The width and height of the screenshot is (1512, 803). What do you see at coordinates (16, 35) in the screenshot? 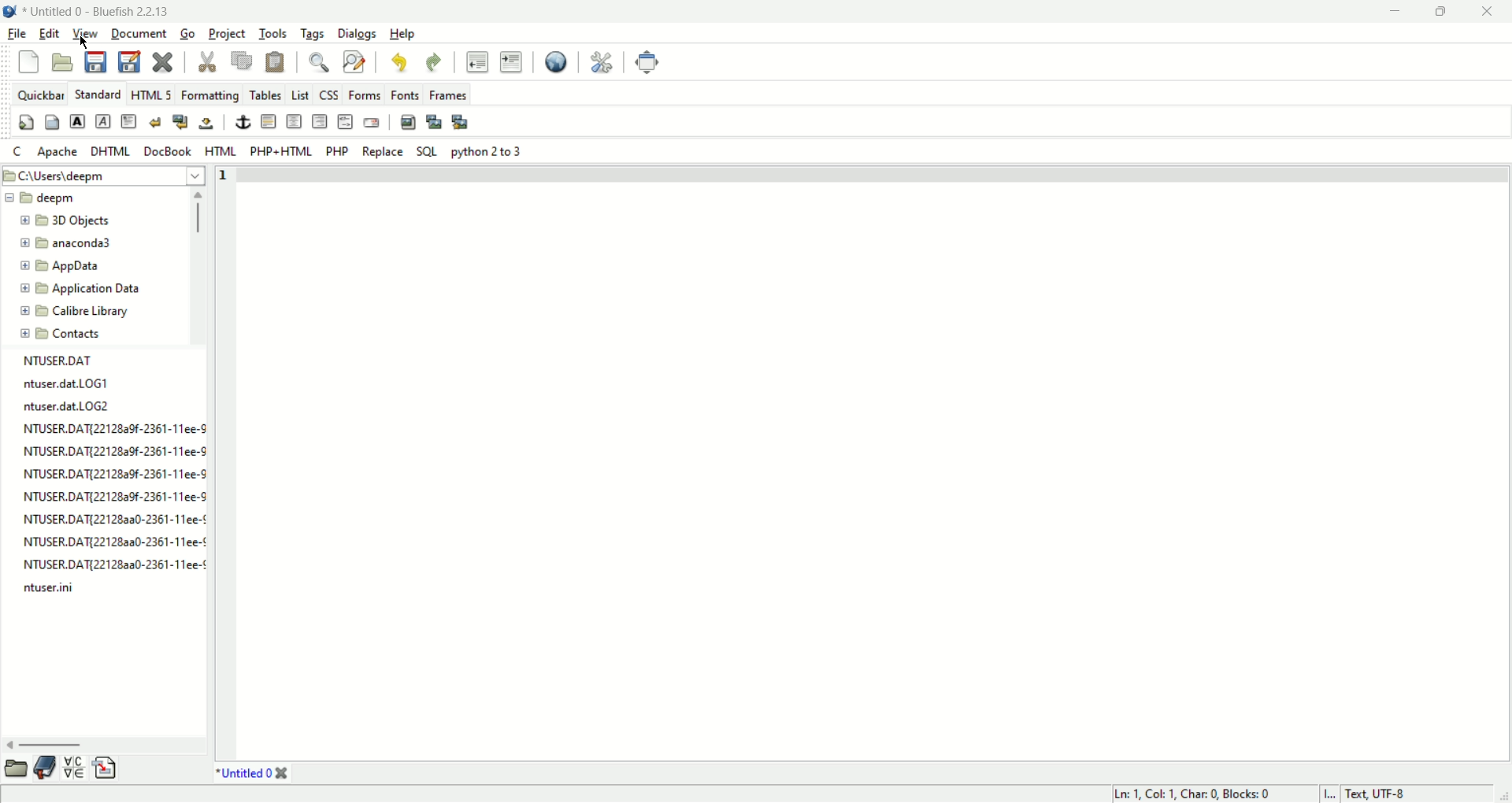
I see `file` at bounding box center [16, 35].